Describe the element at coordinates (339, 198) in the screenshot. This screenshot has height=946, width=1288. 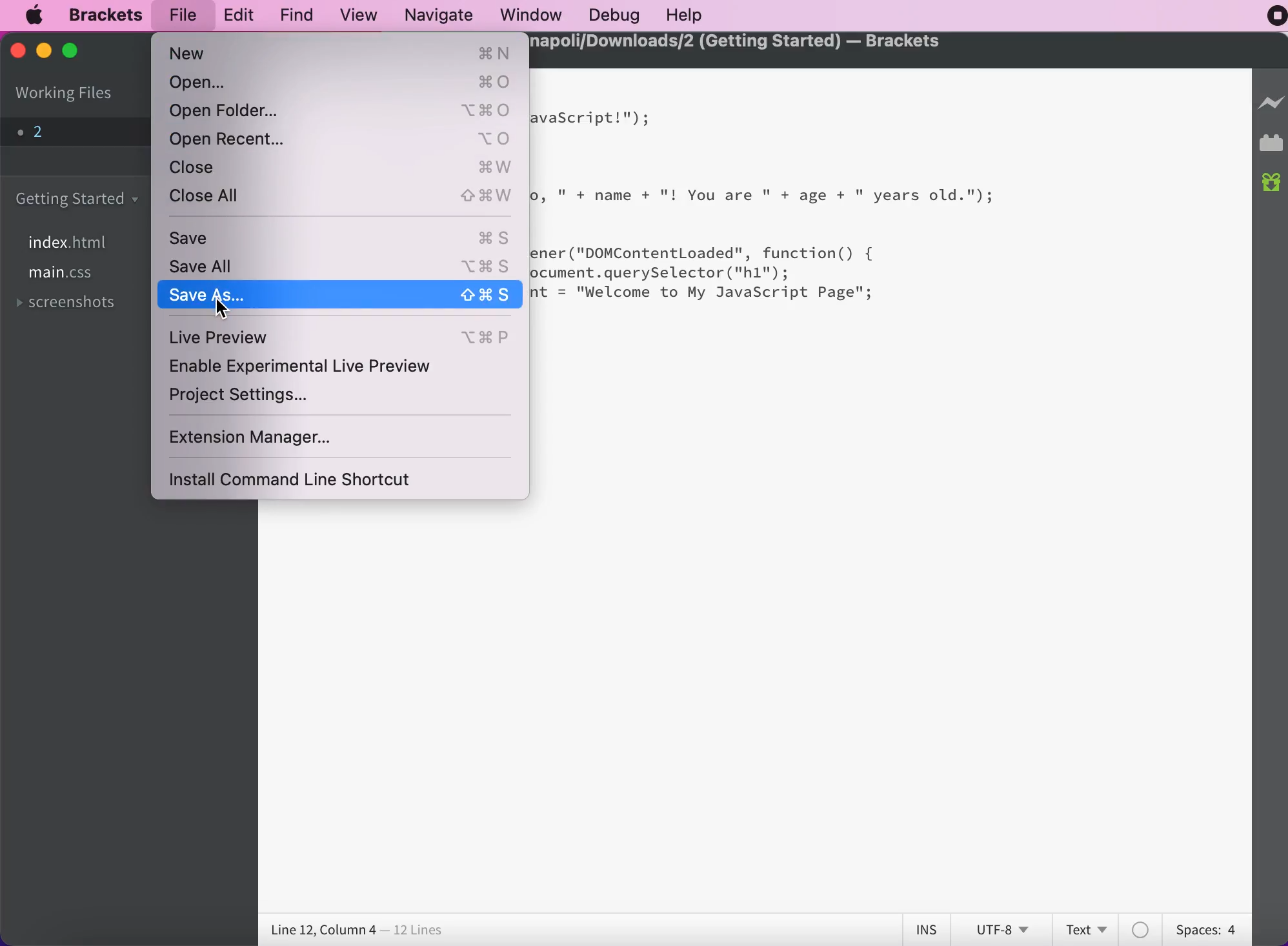
I see `close all` at that location.